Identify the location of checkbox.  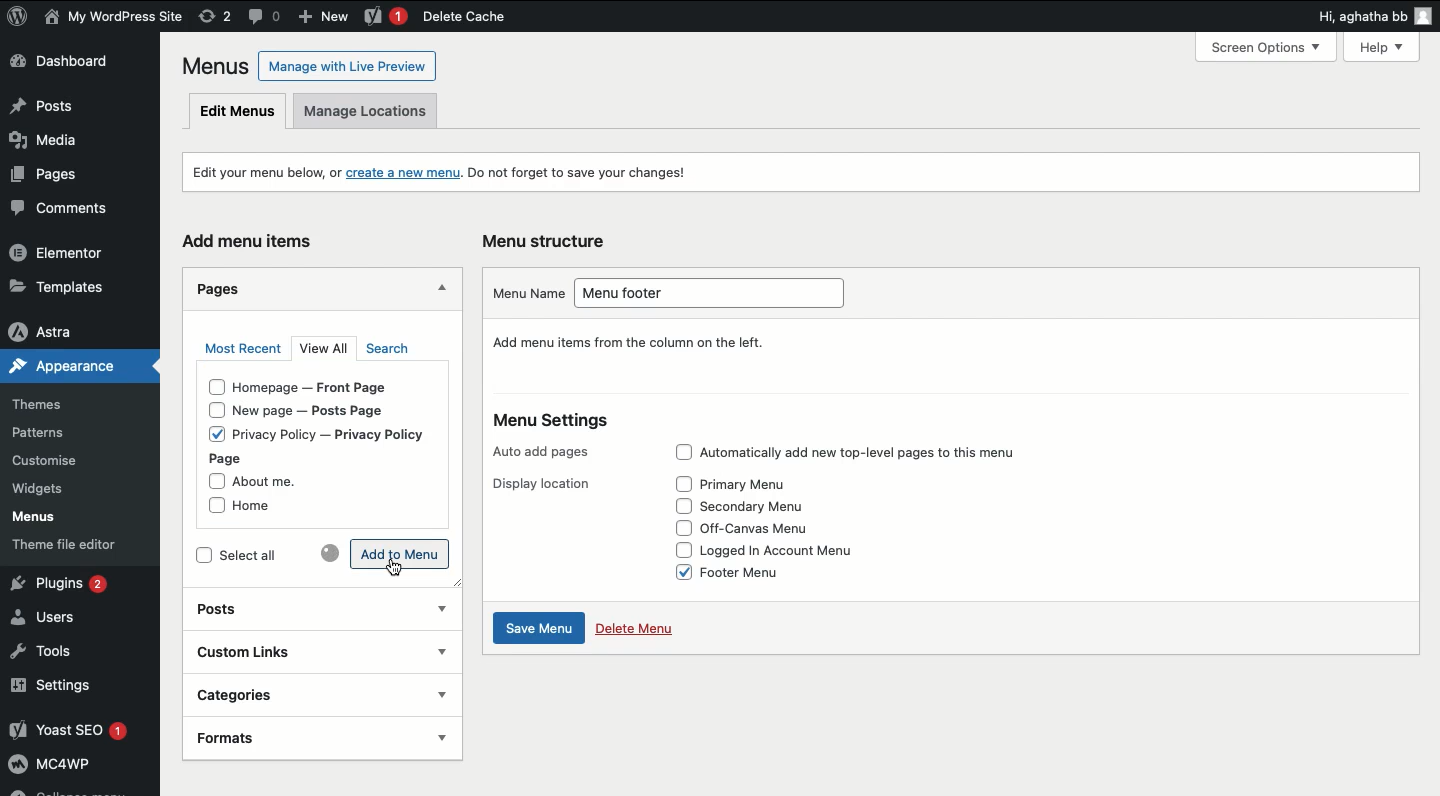
(209, 507).